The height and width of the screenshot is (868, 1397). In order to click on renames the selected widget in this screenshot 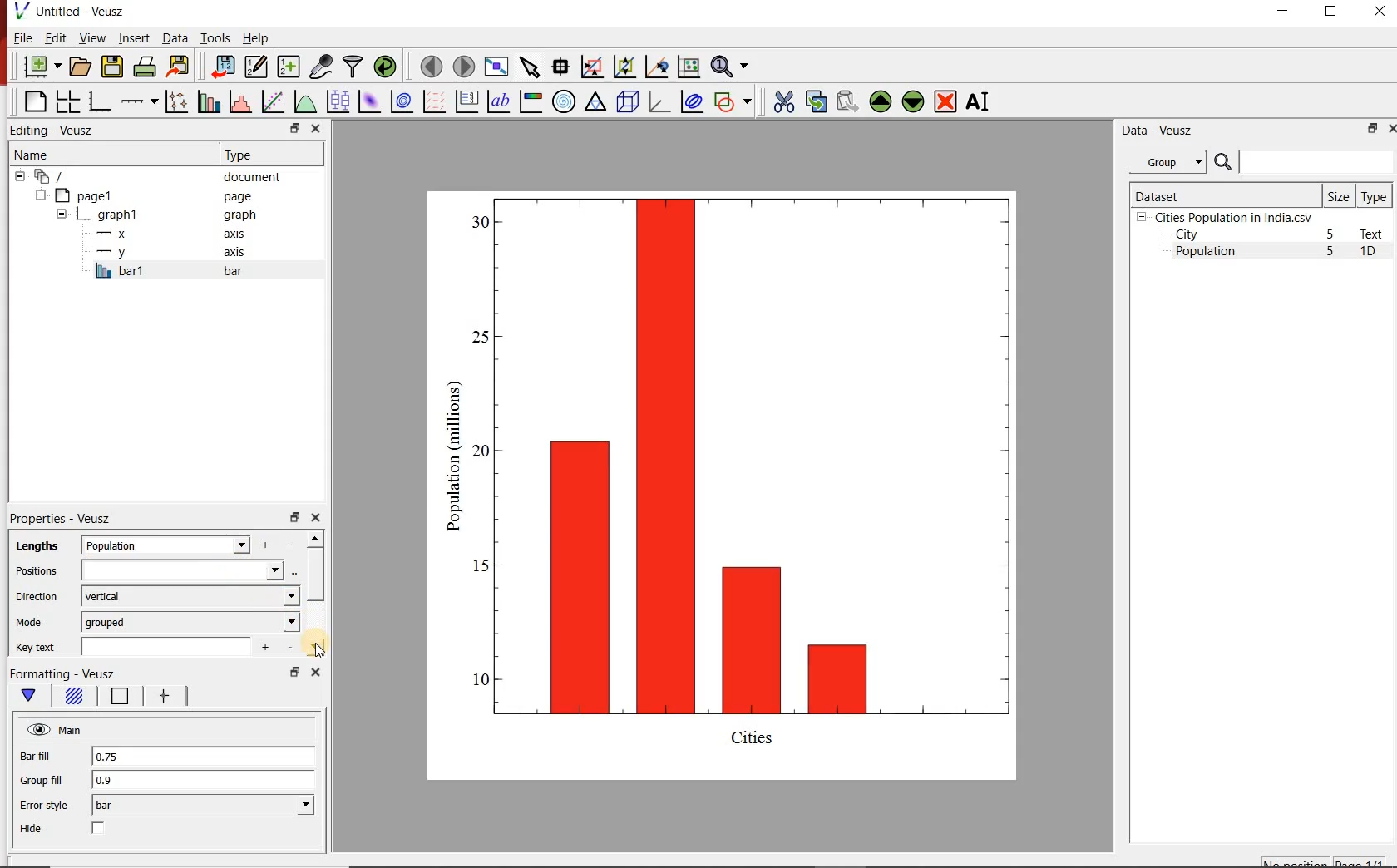, I will do `click(979, 101)`.